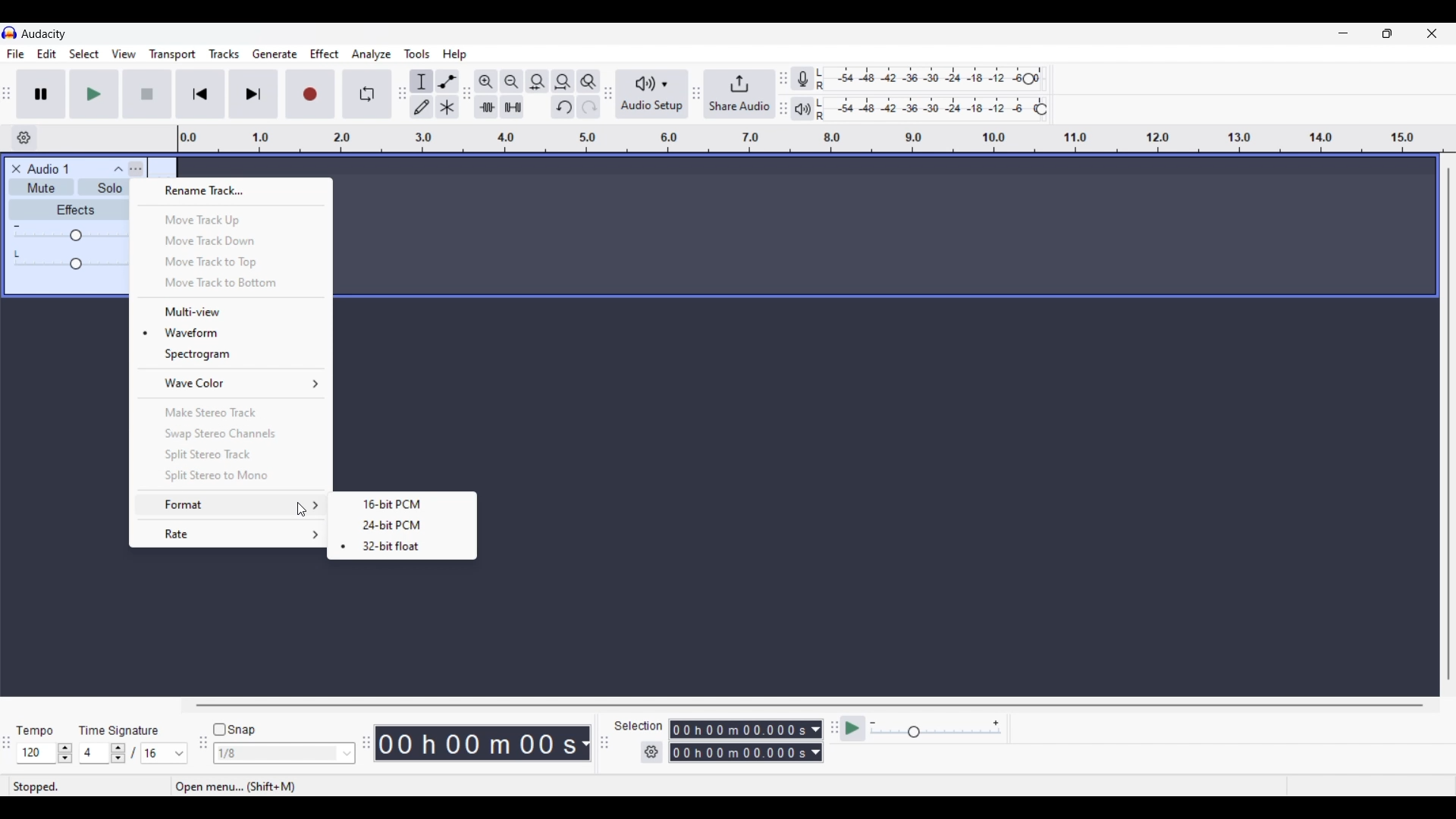 This screenshot has width=1456, height=819. I want to click on Effect menu, so click(325, 54).